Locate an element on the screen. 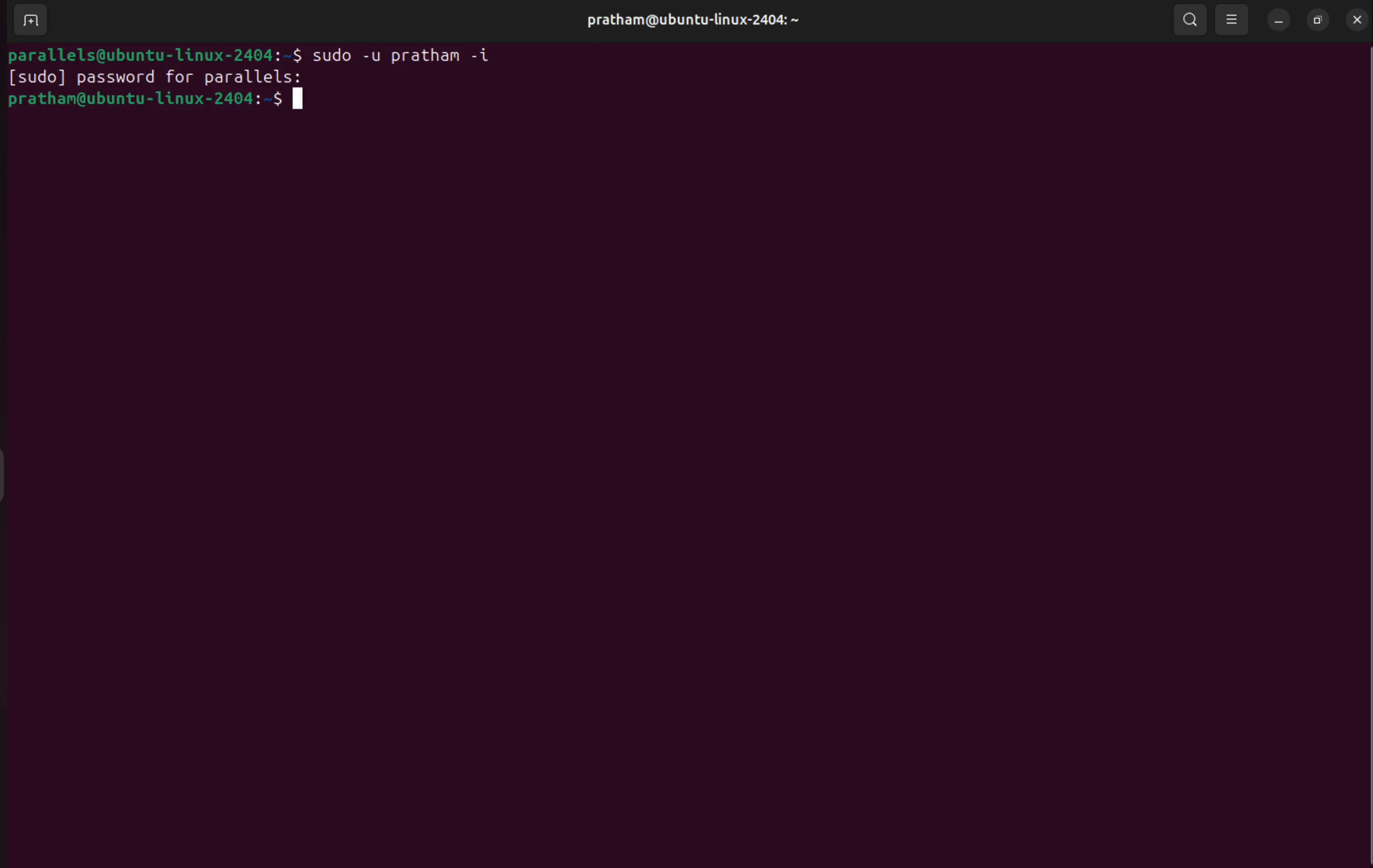  minimize is located at coordinates (1277, 19).